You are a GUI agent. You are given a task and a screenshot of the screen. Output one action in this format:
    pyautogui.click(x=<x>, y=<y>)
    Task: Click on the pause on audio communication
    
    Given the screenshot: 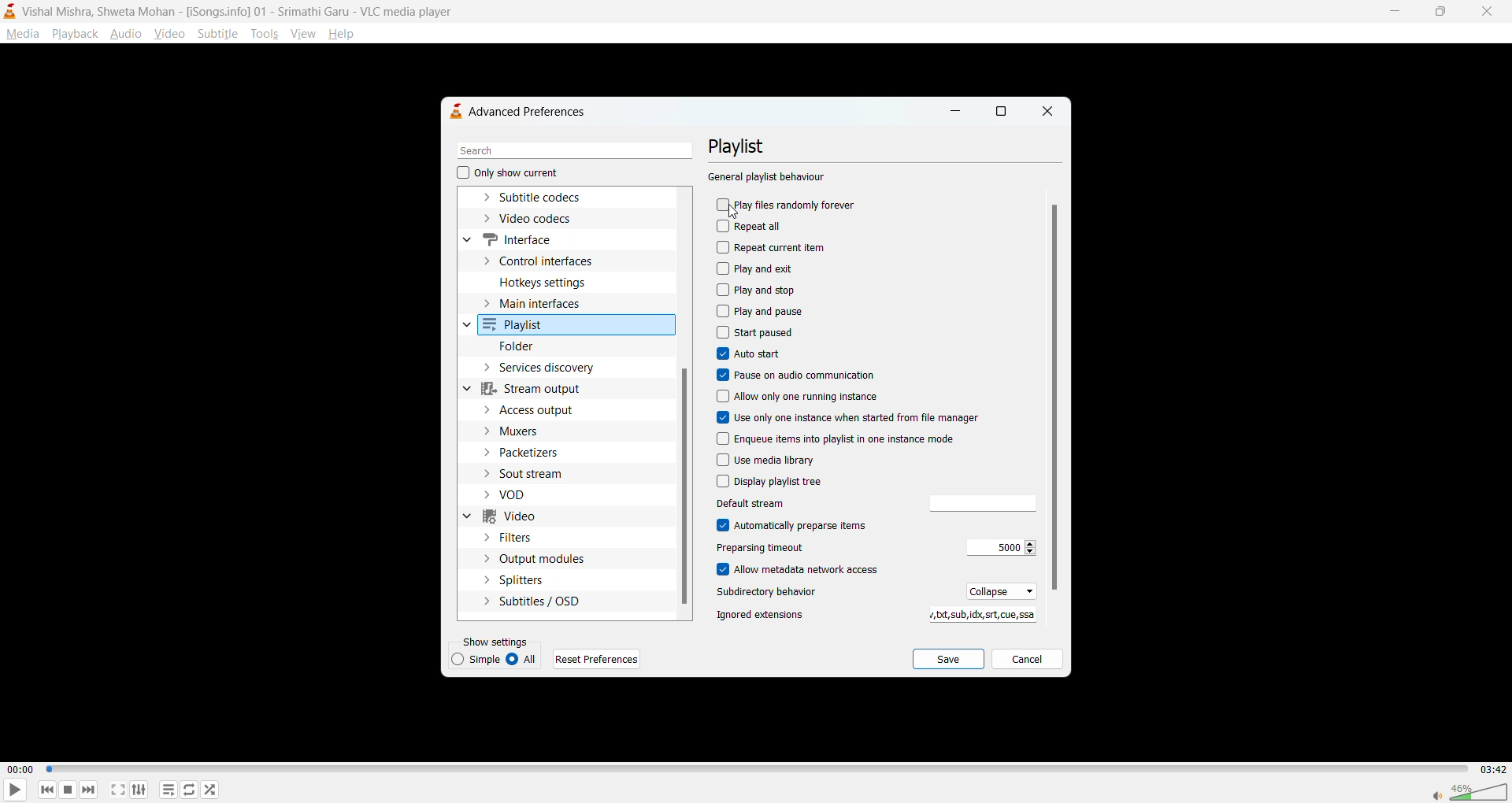 What is the action you would take?
    pyautogui.click(x=802, y=374)
    